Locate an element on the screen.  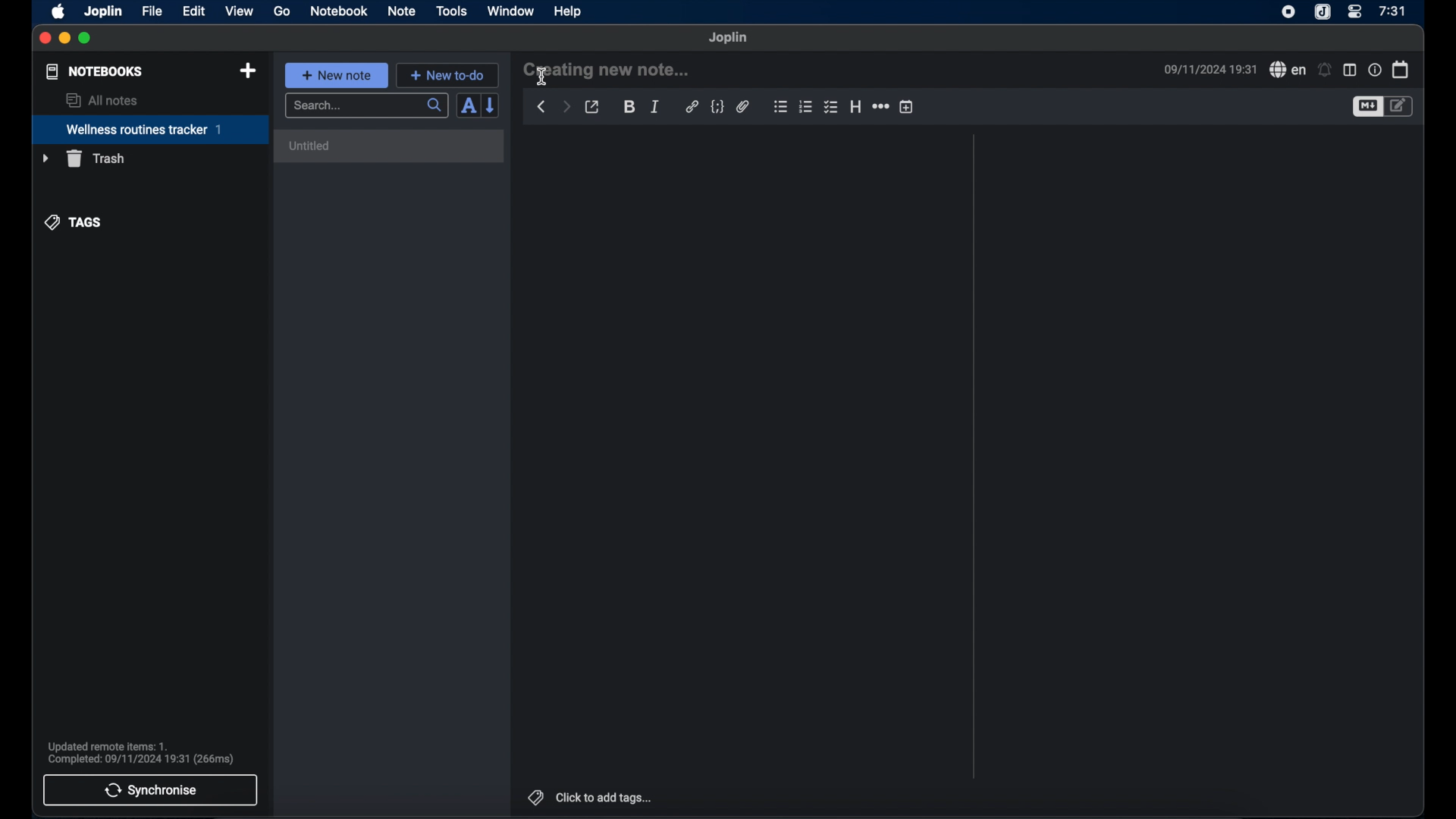
reverse sort order is located at coordinates (491, 105).